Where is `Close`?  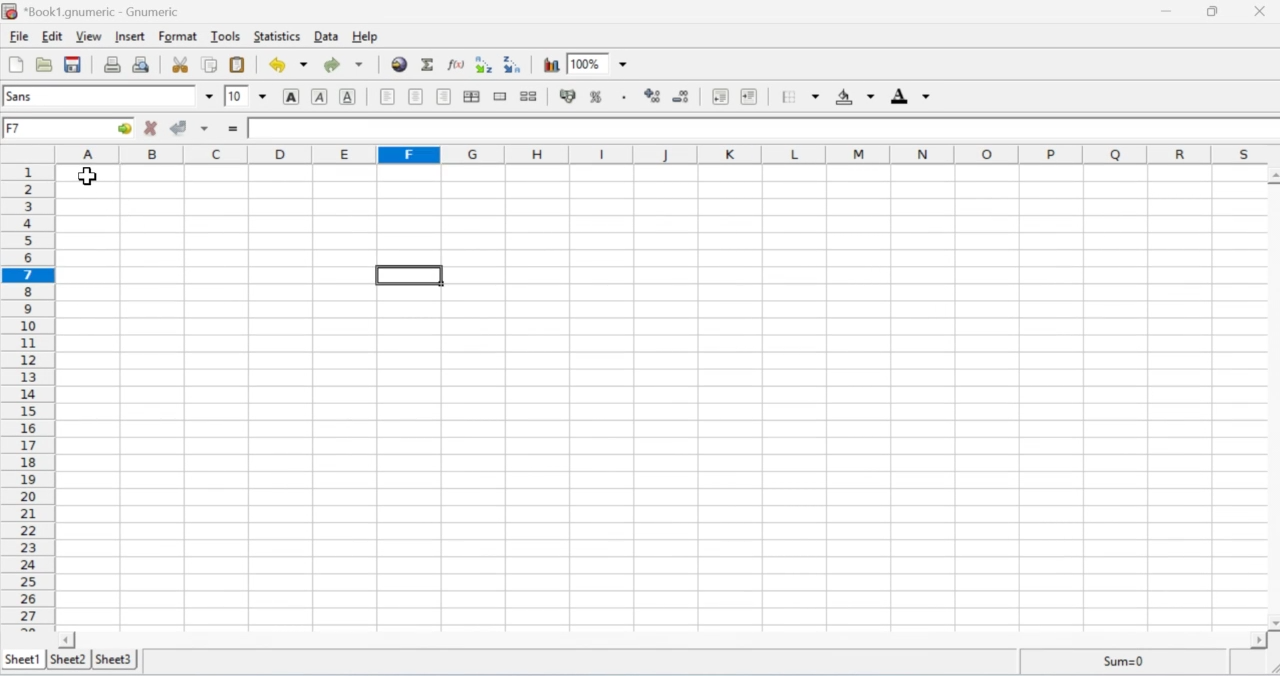
Close is located at coordinates (1258, 11).